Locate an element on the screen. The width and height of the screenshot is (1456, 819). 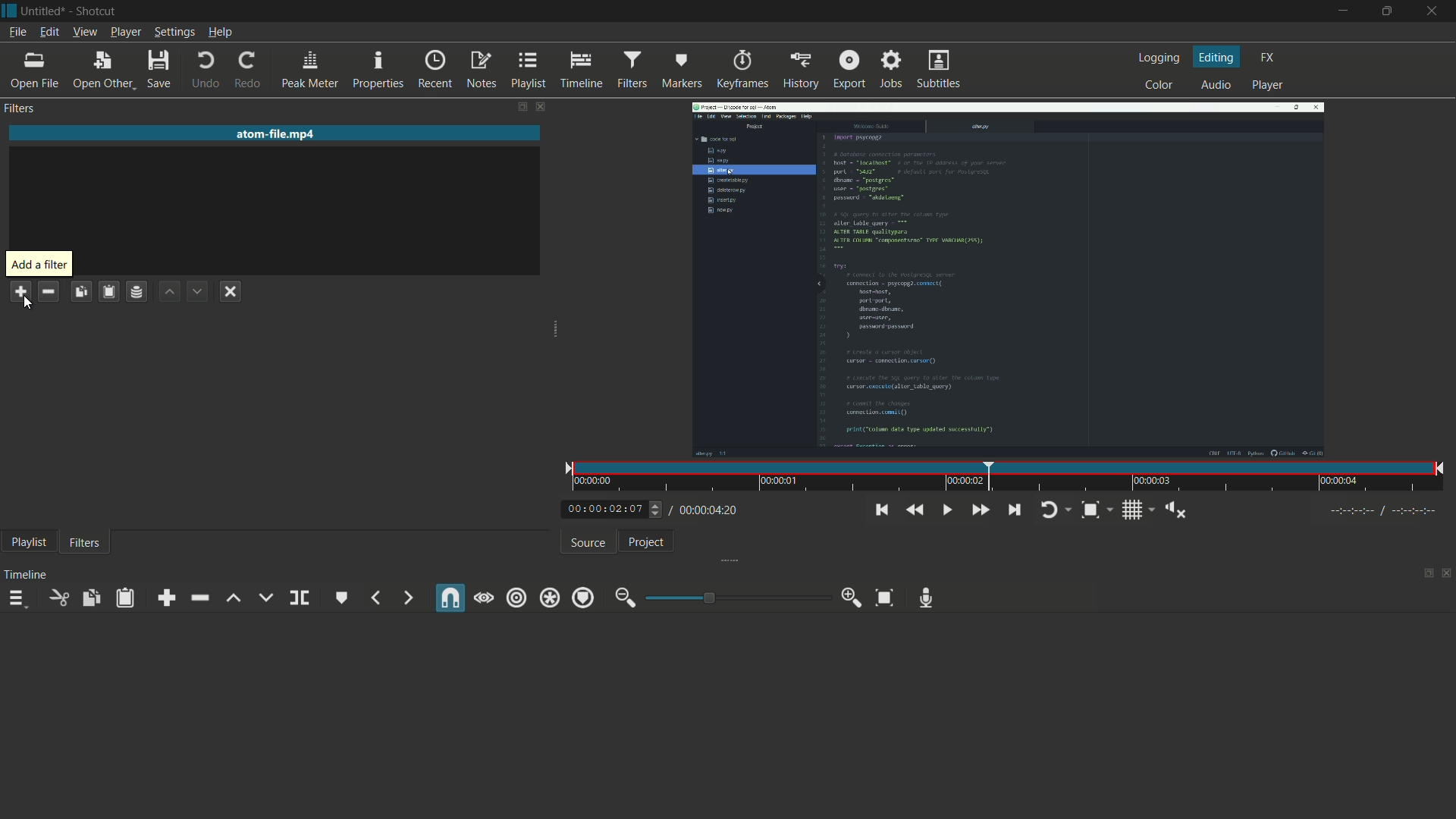
app icon is located at coordinates (11, 13).